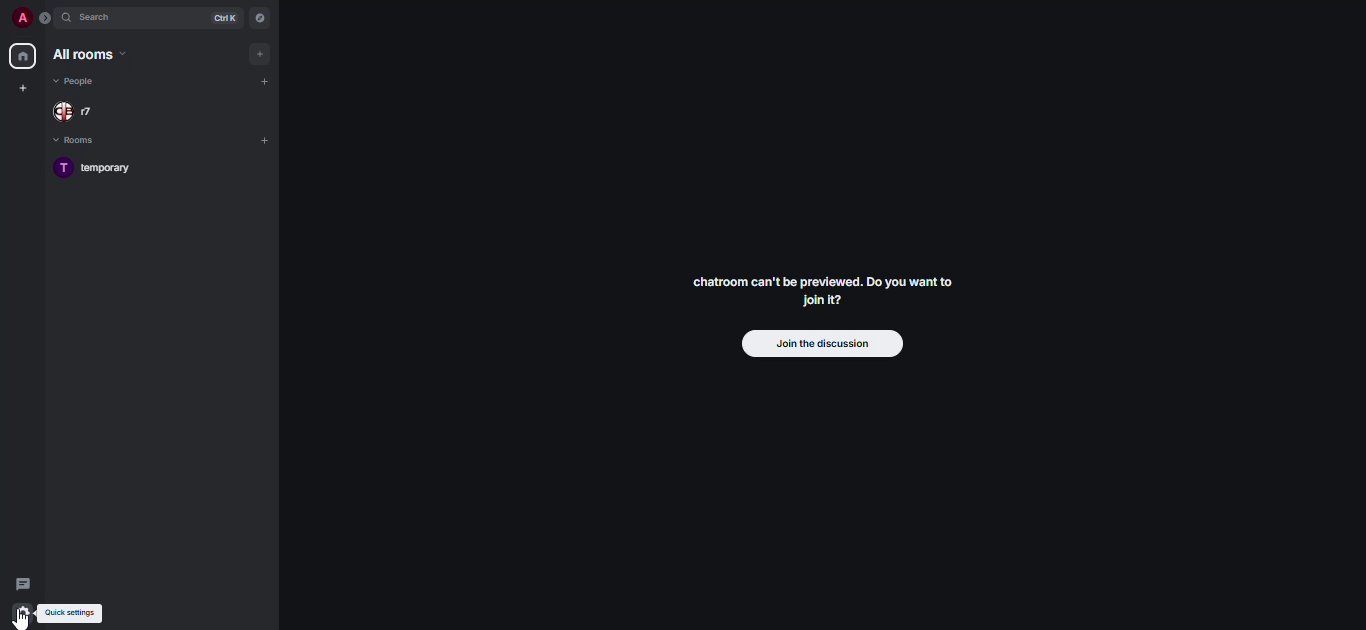  What do you see at coordinates (21, 583) in the screenshot?
I see `threads` at bounding box center [21, 583].